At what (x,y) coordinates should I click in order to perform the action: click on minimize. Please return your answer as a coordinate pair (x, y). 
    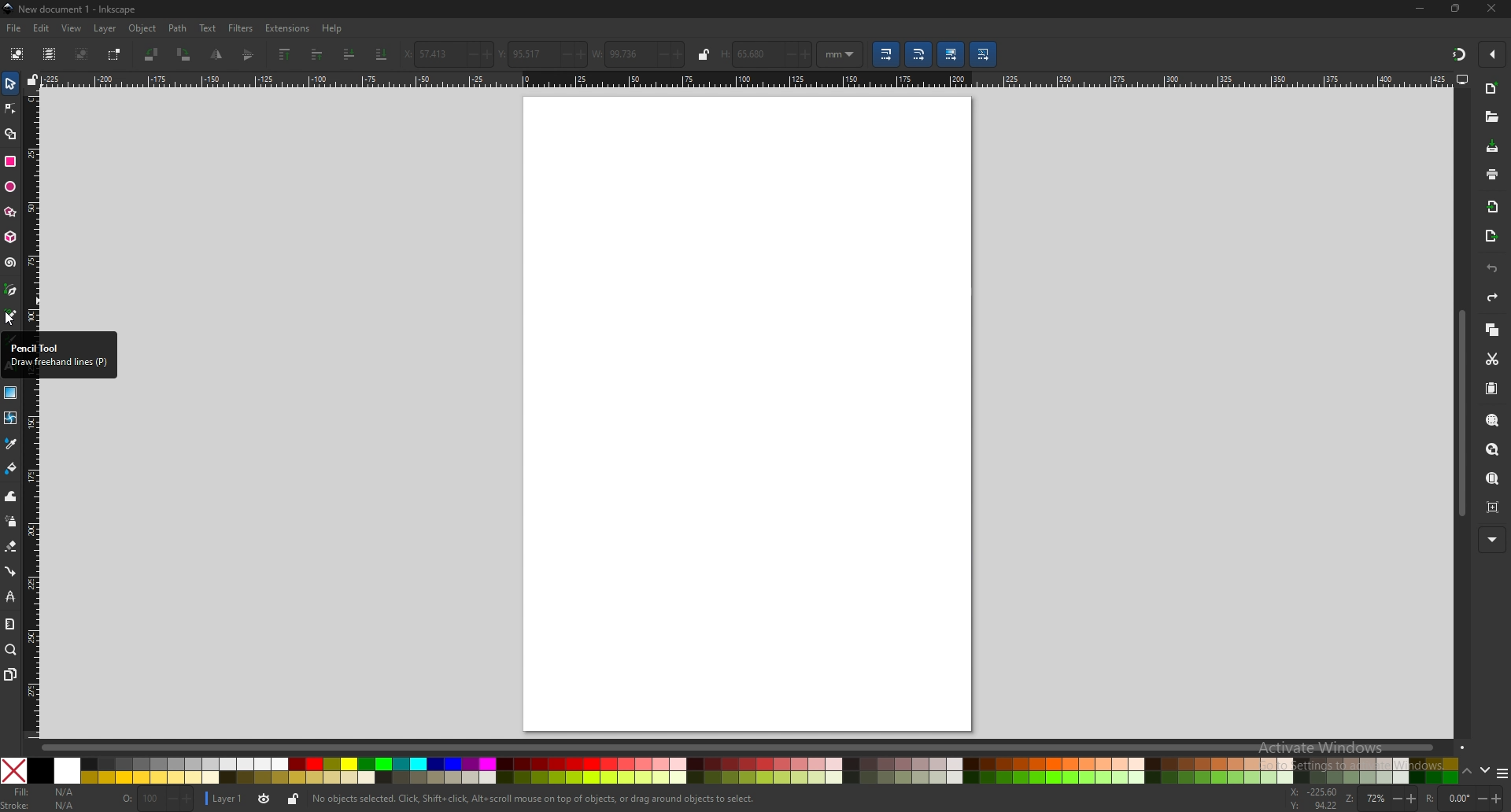
    Looking at the image, I should click on (1419, 9).